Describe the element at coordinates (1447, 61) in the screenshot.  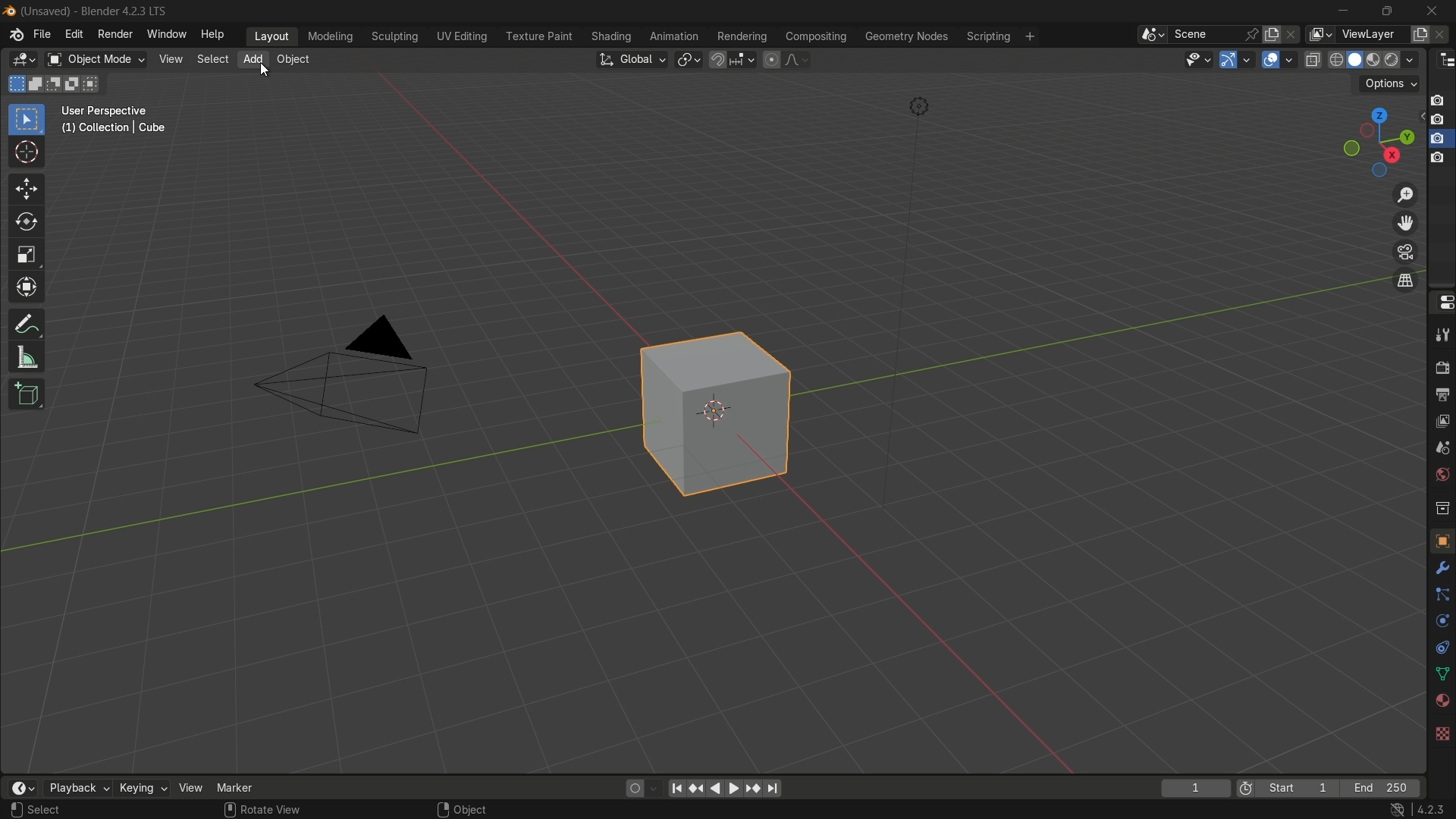
I see `outliner` at that location.